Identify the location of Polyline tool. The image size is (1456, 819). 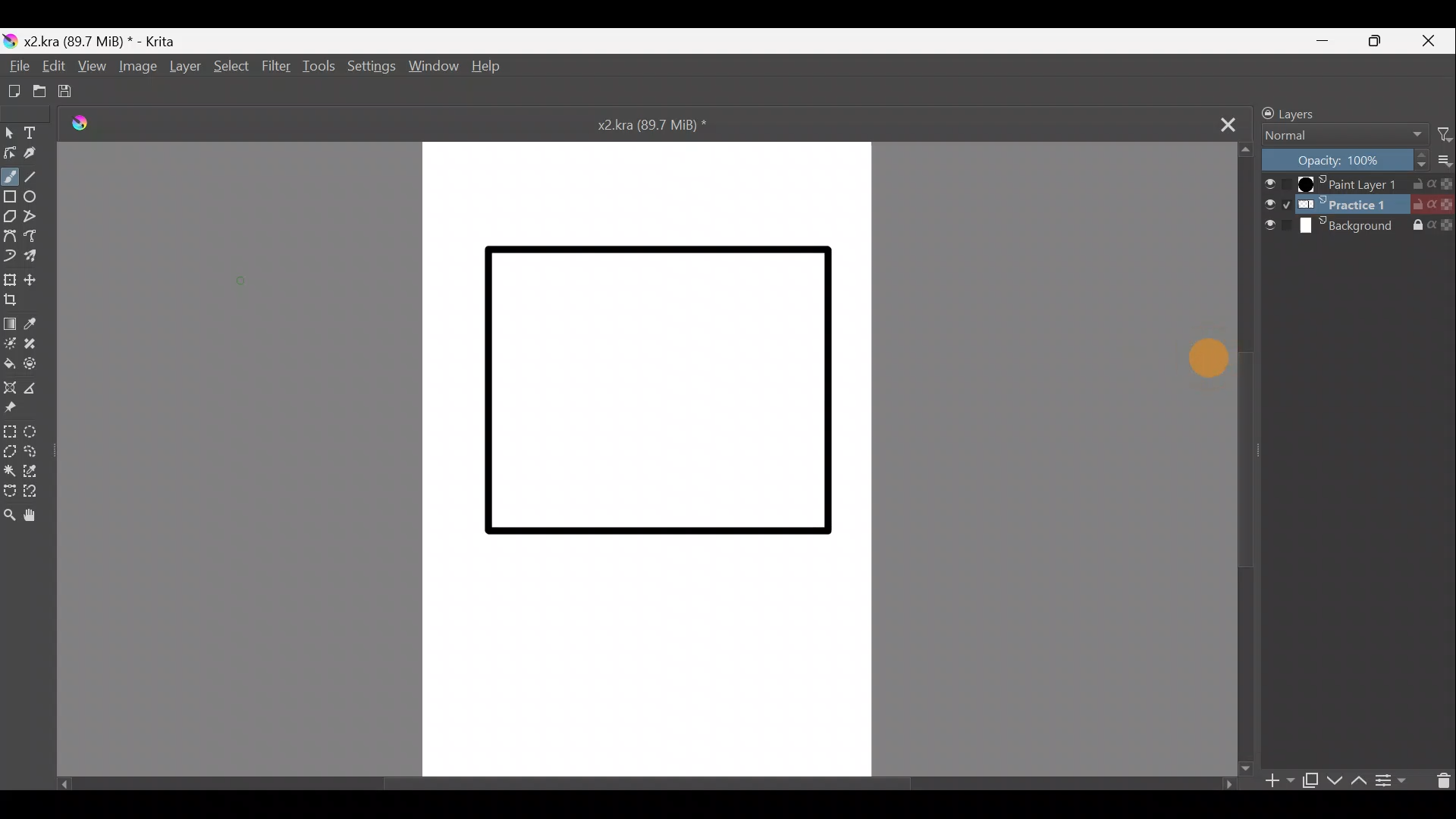
(36, 216).